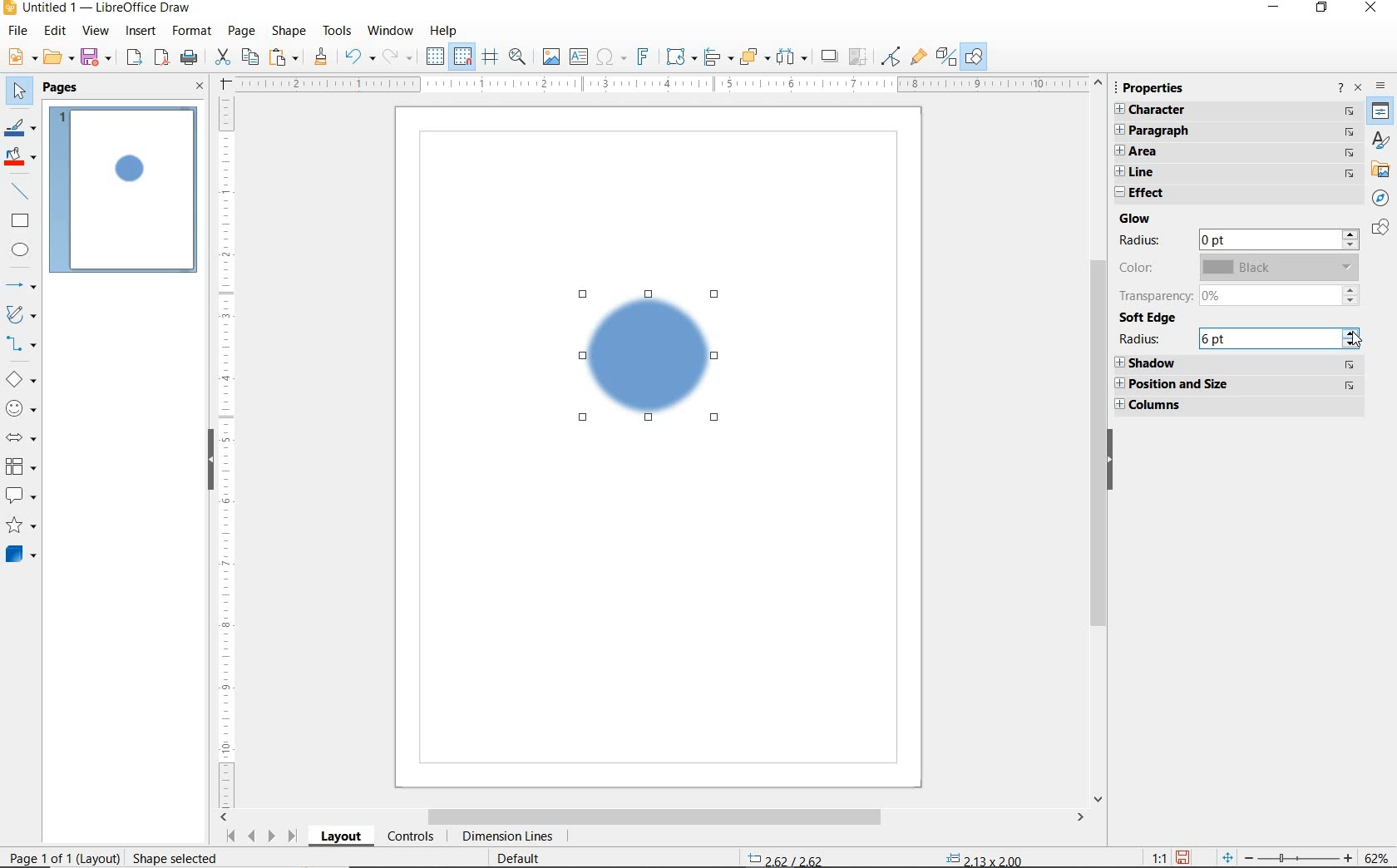 The width and height of the screenshot is (1397, 868). Describe the element at coordinates (243, 32) in the screenshot. I see `PAGE` at that location.